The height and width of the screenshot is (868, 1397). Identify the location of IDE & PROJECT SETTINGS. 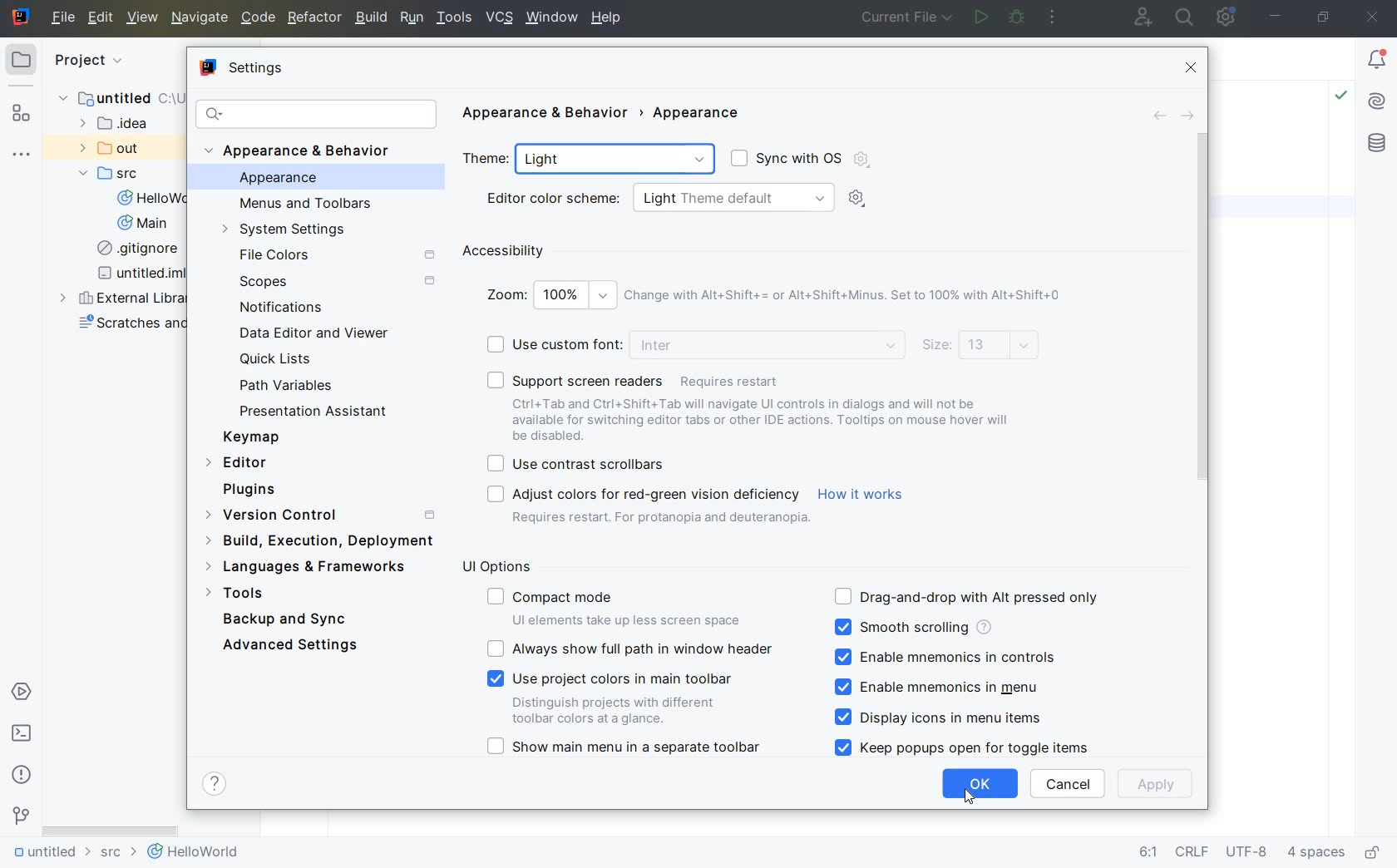
(1225, 17).